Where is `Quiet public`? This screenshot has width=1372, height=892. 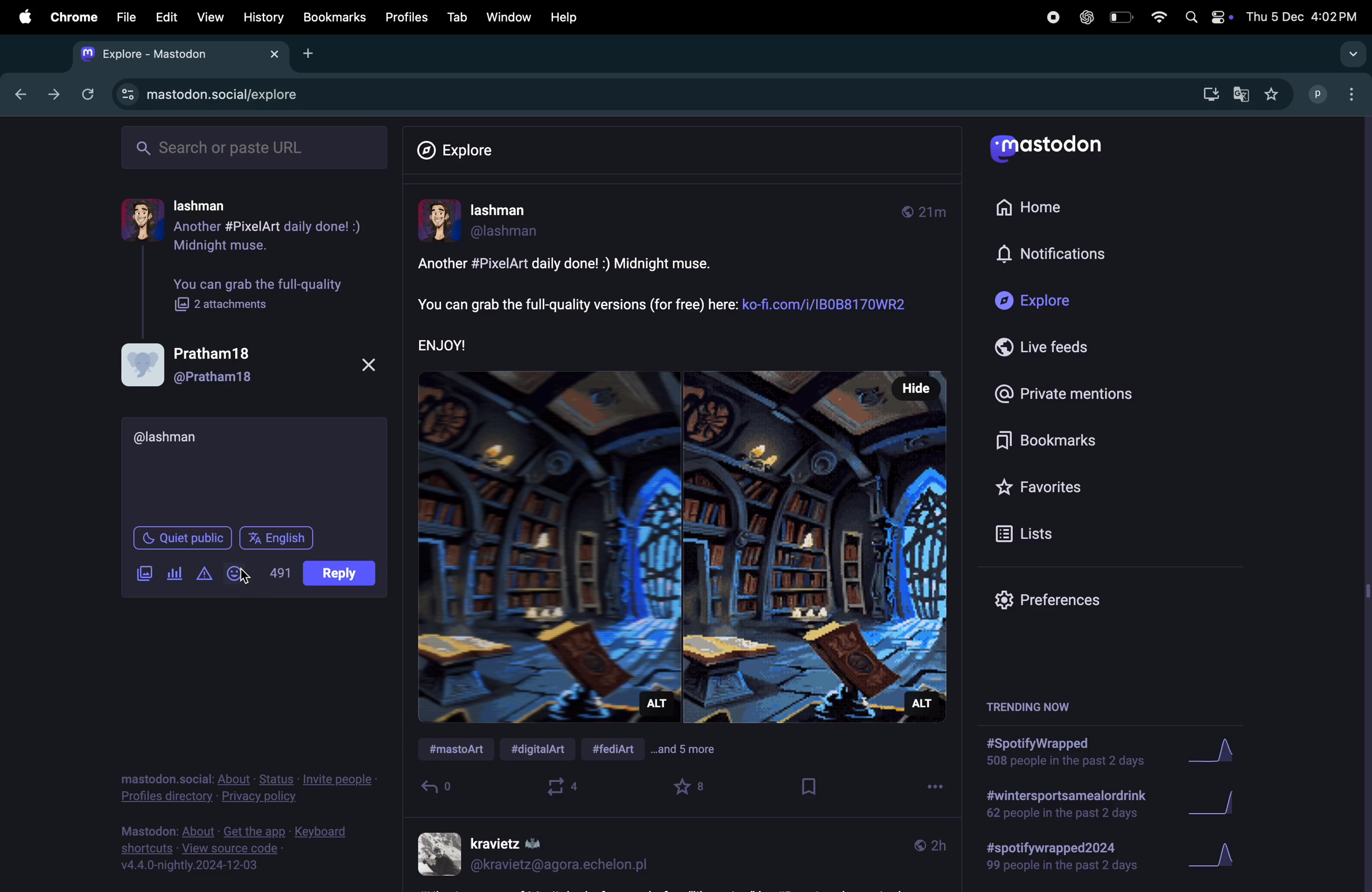
Quiet public is located at coordinates (184, 536).